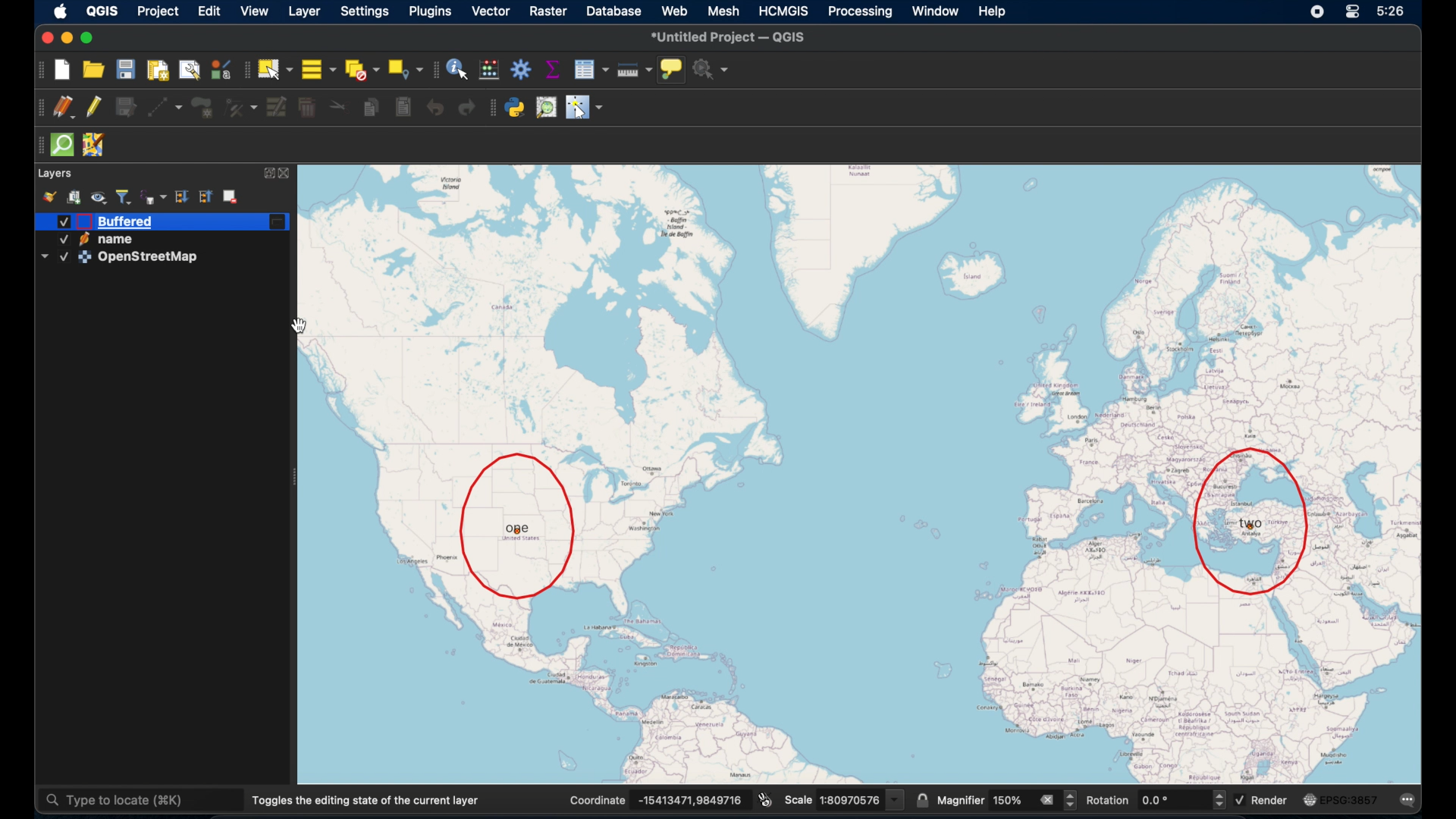 This screenshot has height=819, width=1456. I want to click on toggles the editing state of the current layer, so click(367, 801).